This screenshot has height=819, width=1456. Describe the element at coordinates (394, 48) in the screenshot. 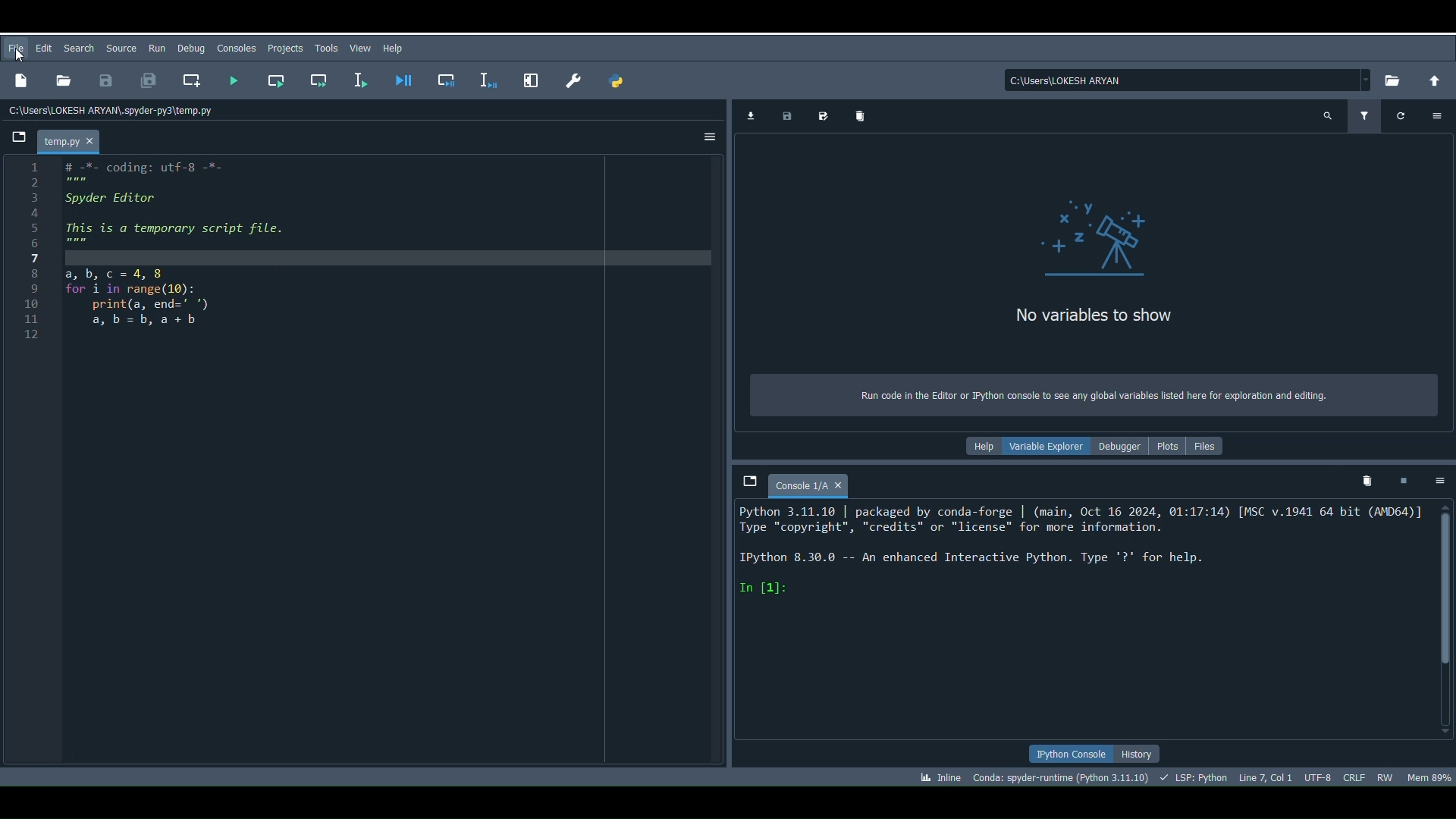

I see `Help` at that location.